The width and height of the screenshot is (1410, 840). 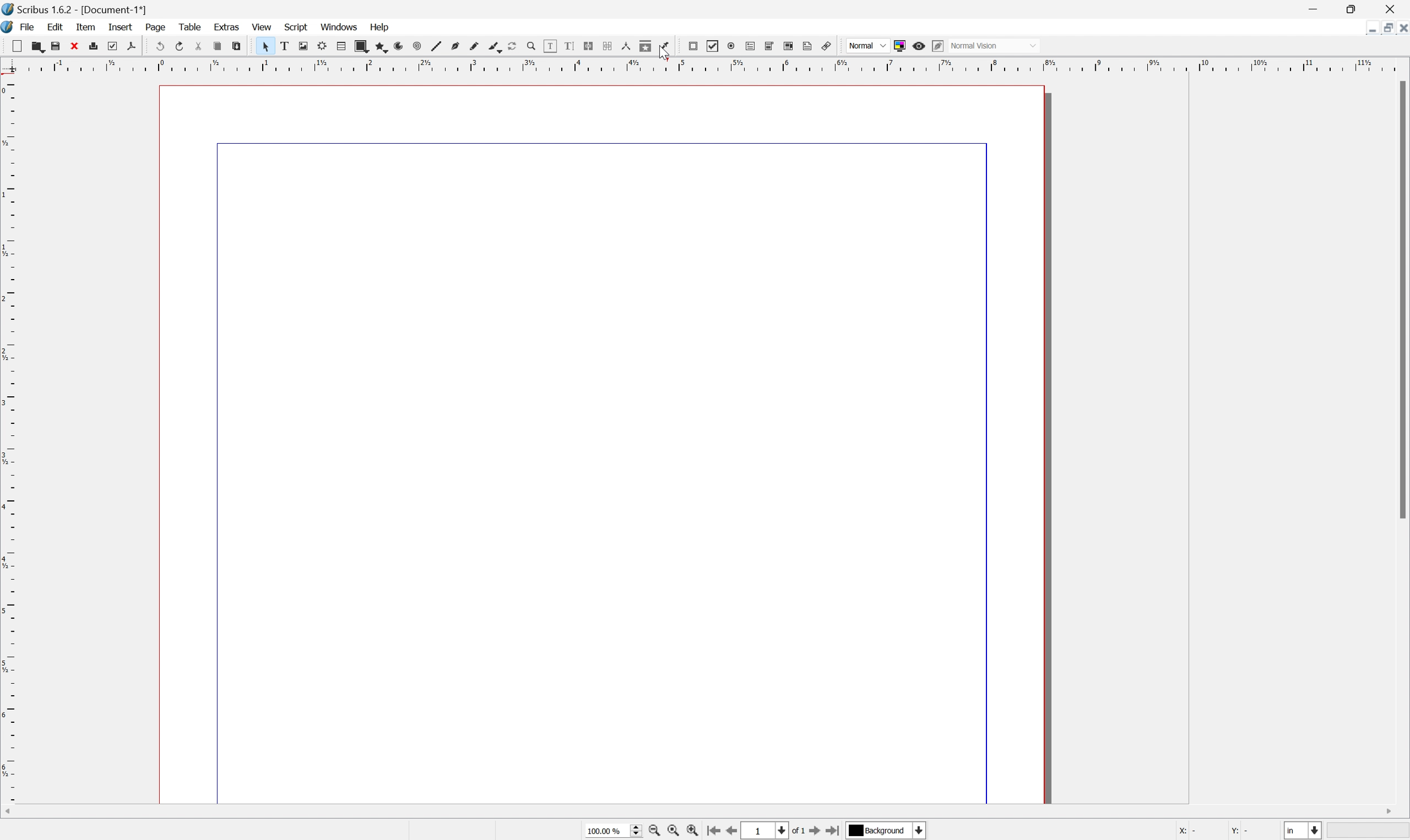 I want to click on windows, so click(x=339, y=26).